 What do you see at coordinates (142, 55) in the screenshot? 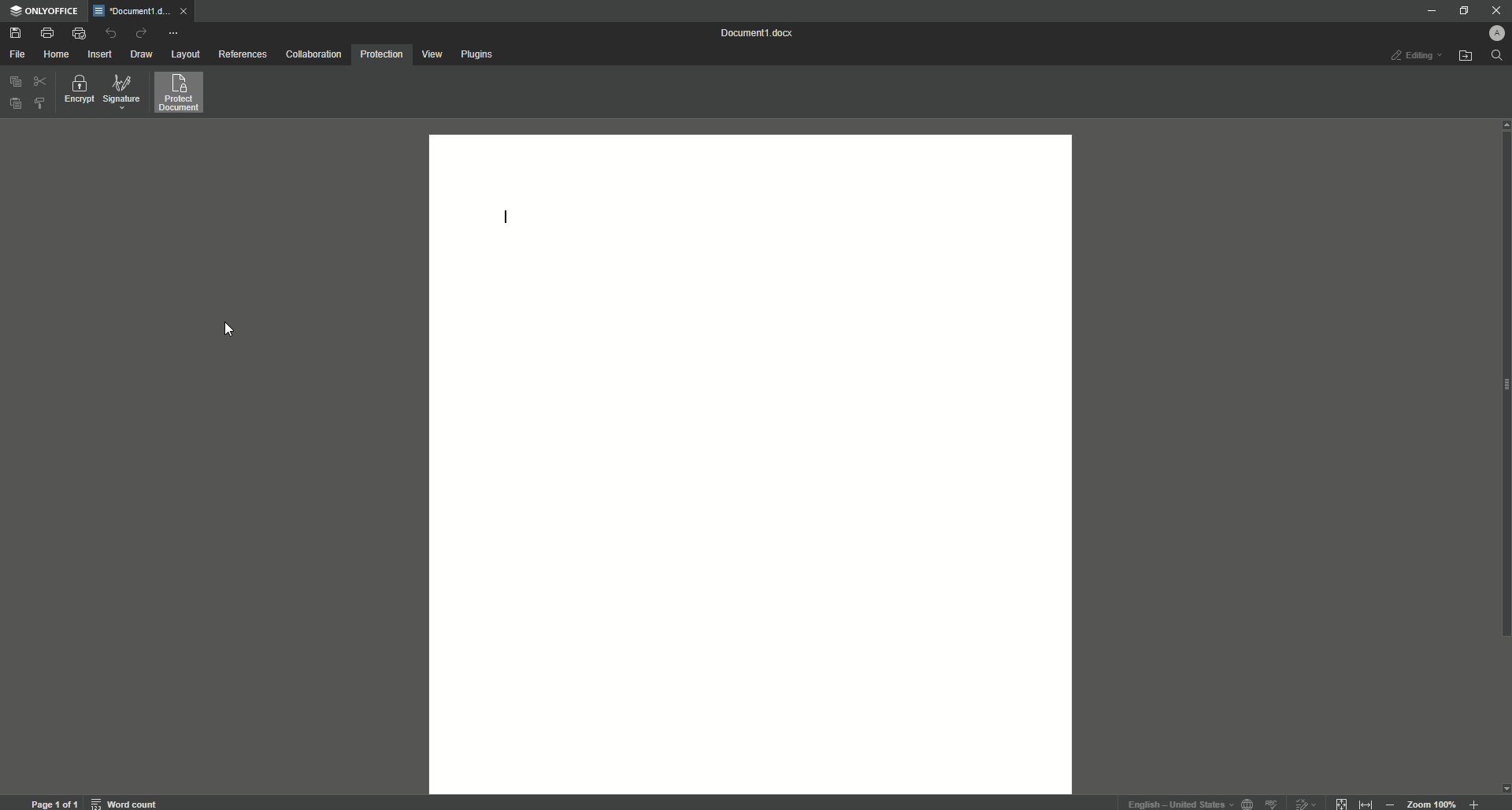
I see `Draw` at bounding box center [142, 55].